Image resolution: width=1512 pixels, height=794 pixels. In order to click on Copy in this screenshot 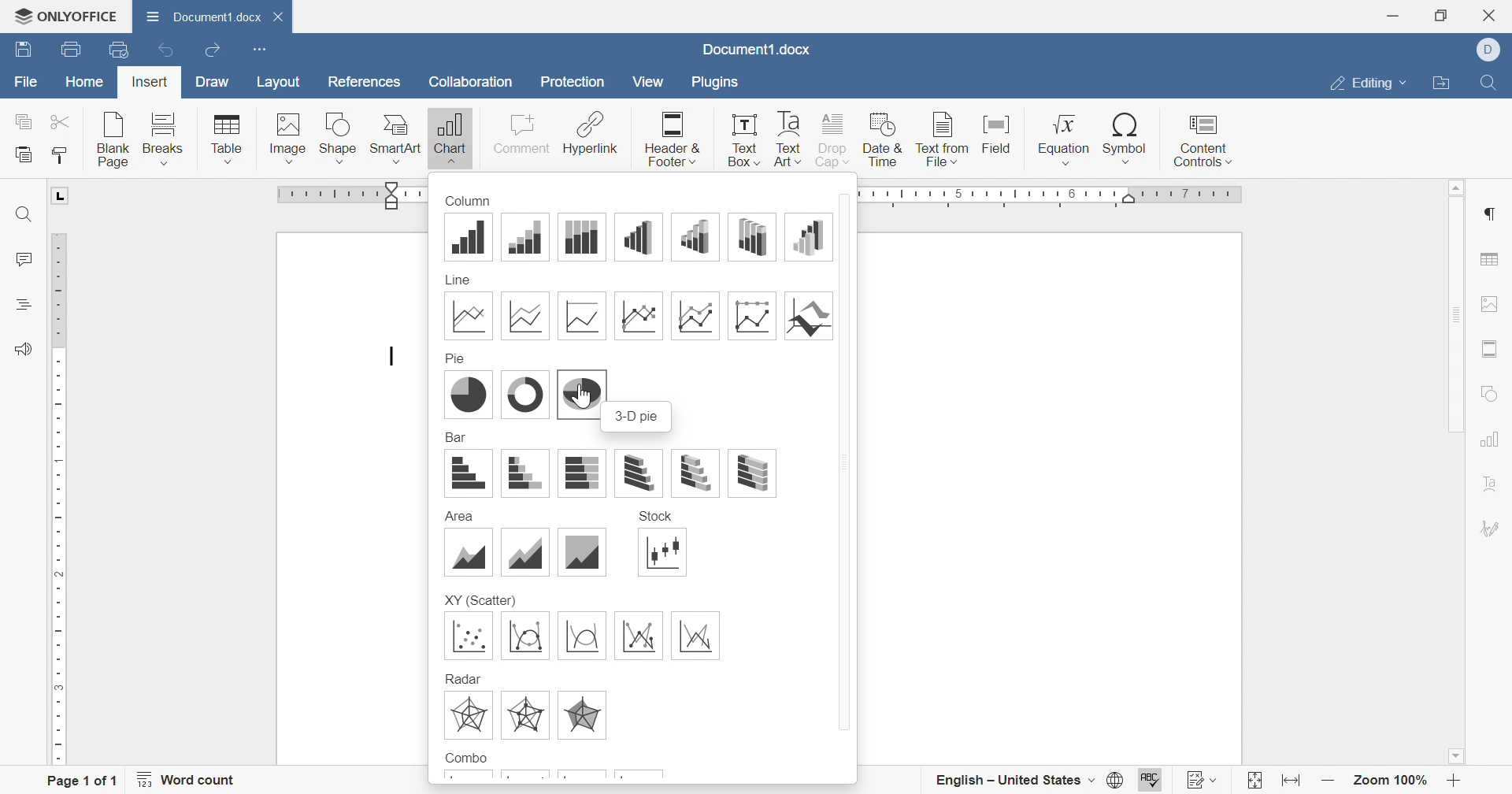, I will do `click(22, 121)`.